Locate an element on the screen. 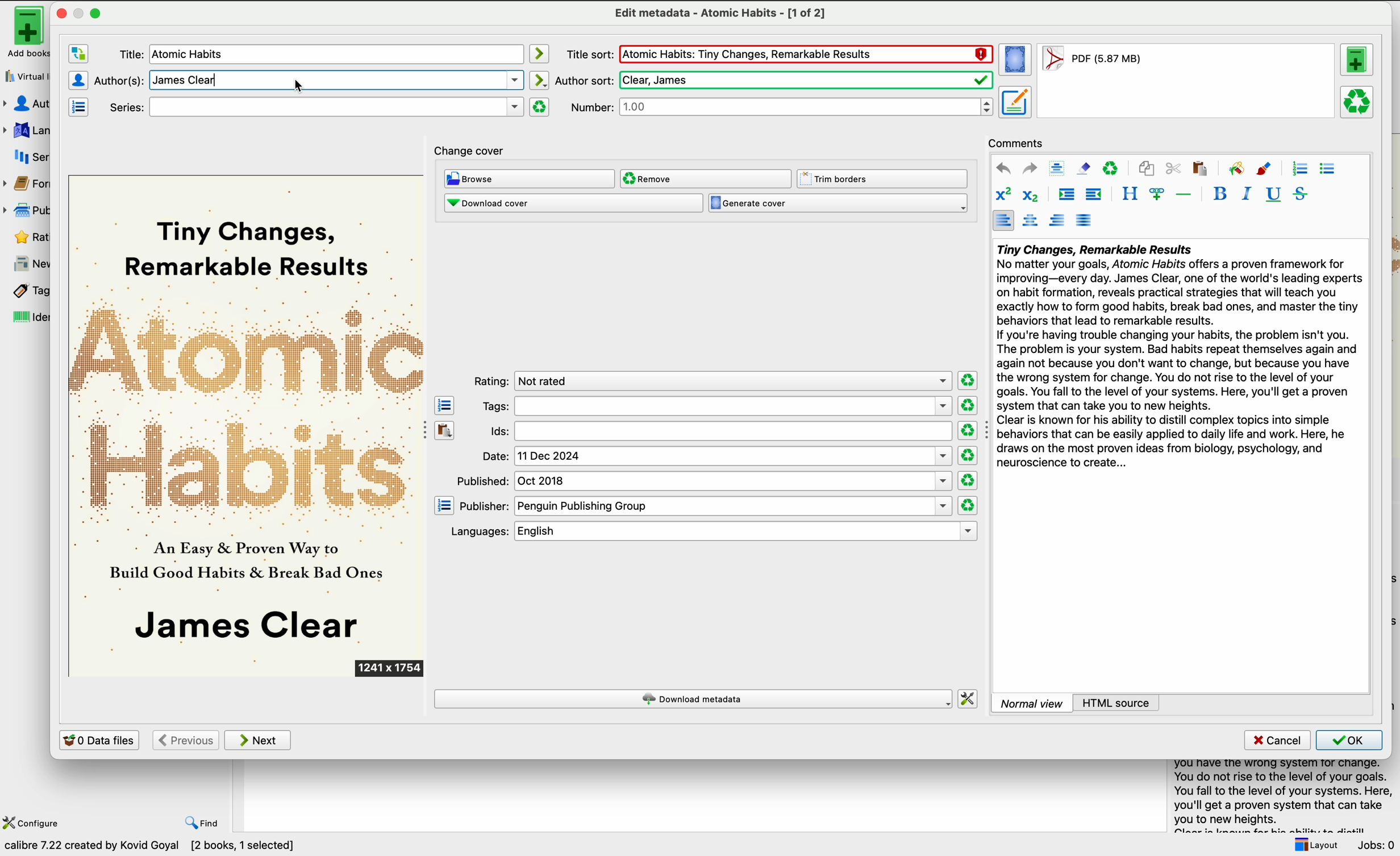 Image resolution: width=1400 pixels, height=856 pixels. change cover is located at coordinates (472, 148).